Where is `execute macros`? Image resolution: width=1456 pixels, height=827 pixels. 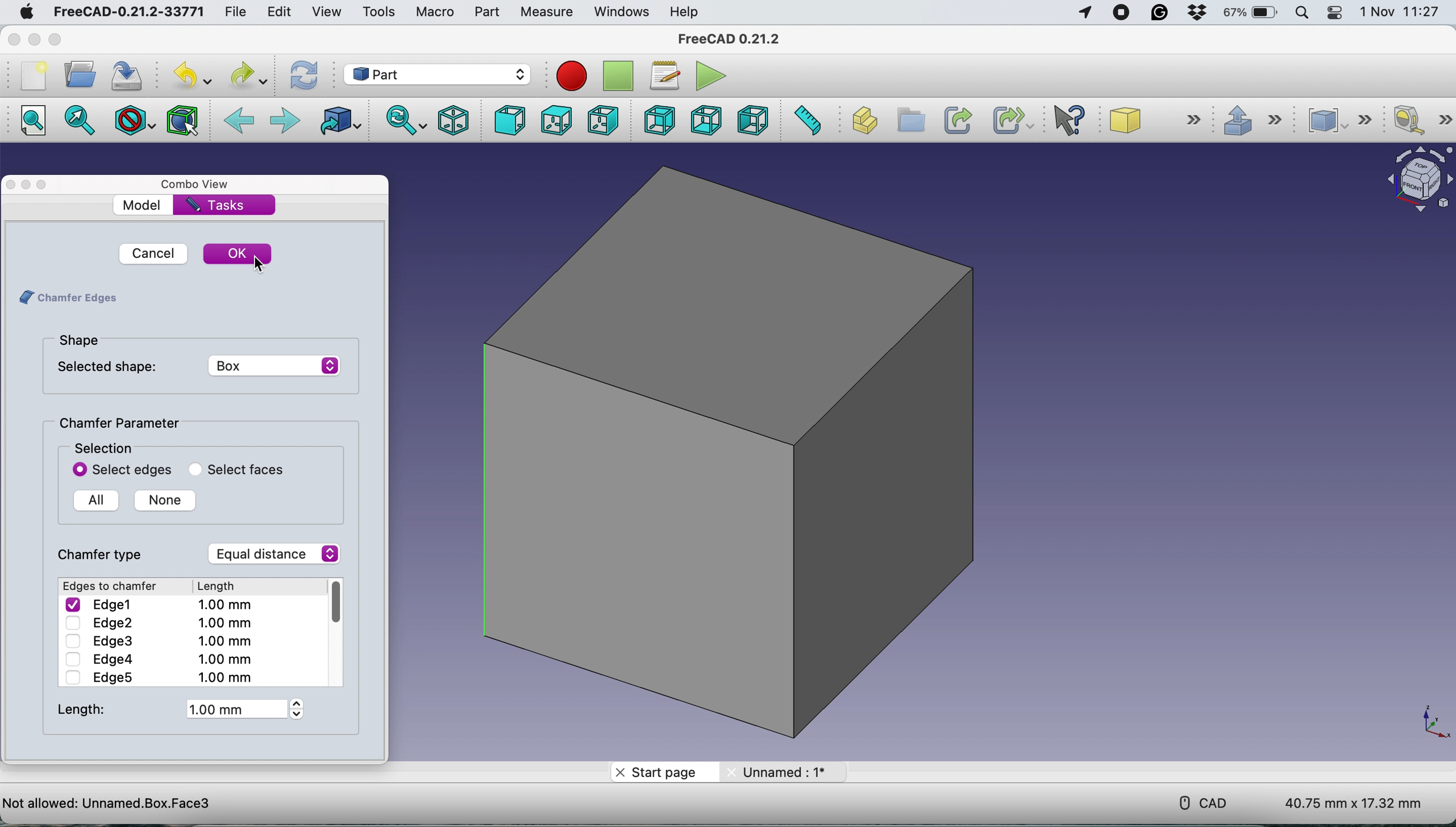 execute macros is located at coordinates (712, 76).